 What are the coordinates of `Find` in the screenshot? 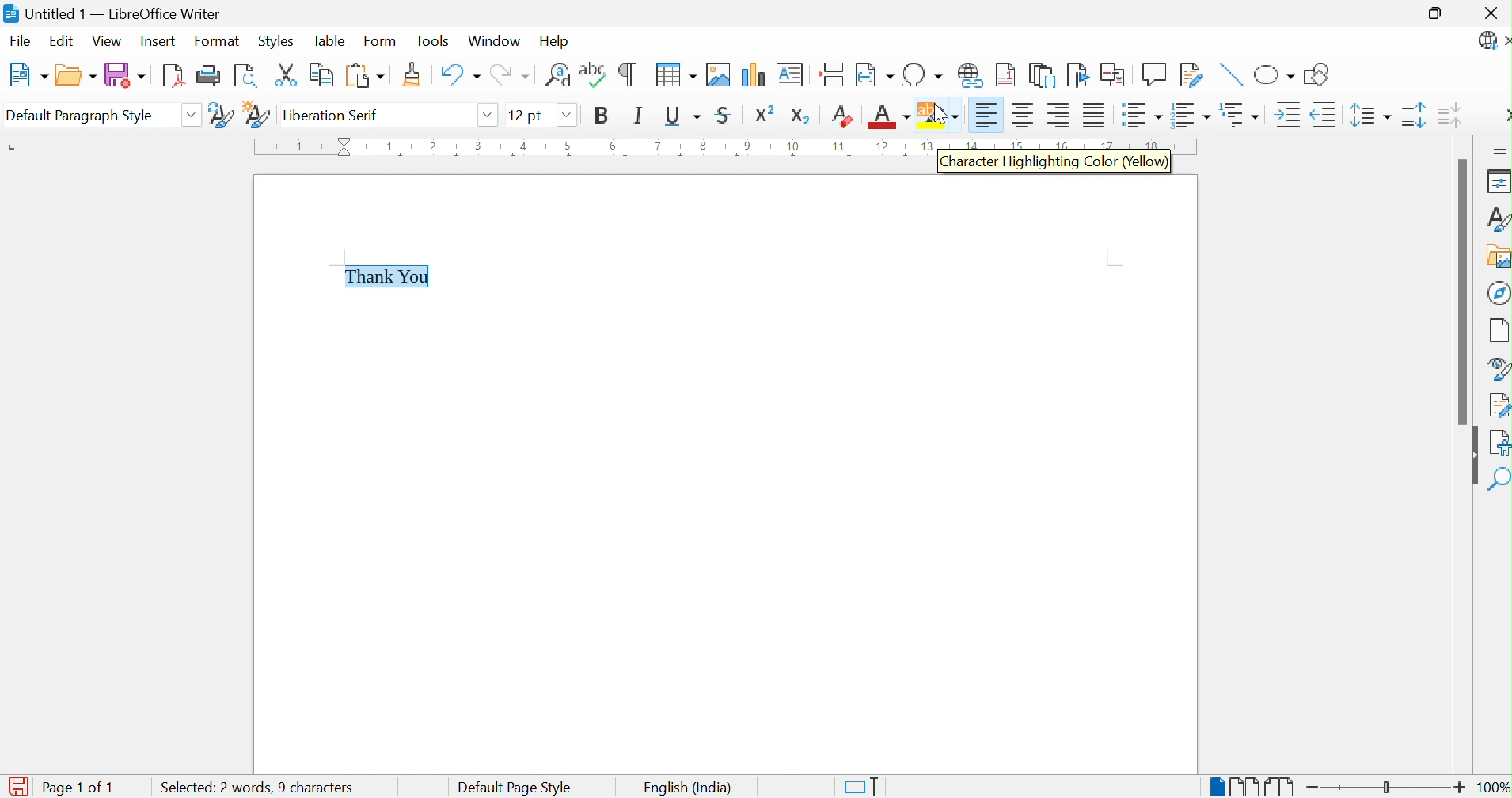 It's located at (1499, 481).